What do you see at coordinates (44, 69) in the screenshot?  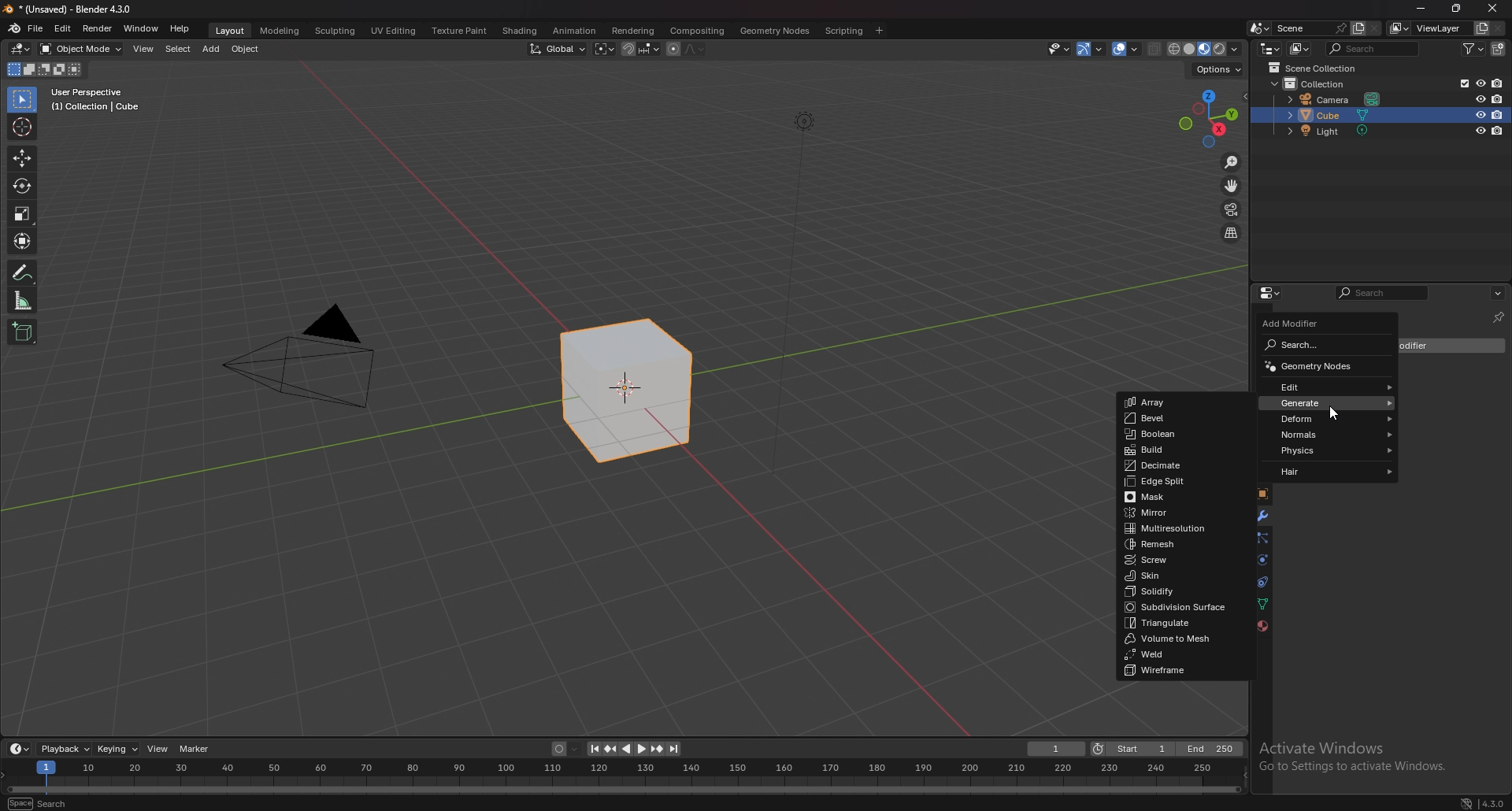 I see `modes` at bounding box center [44, 69].